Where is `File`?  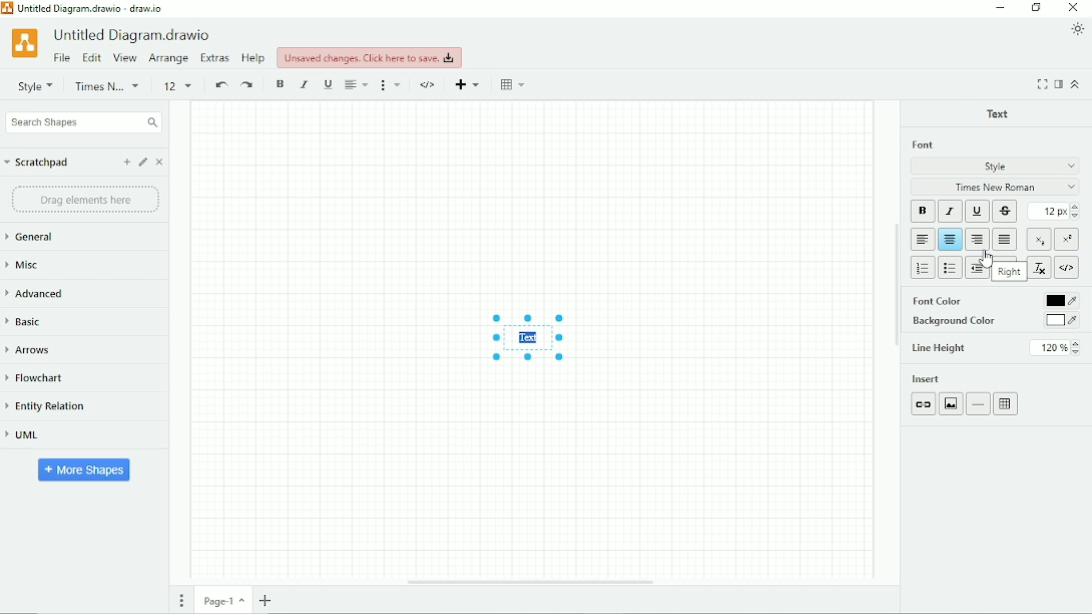
File is located at coordinates (62, 57).